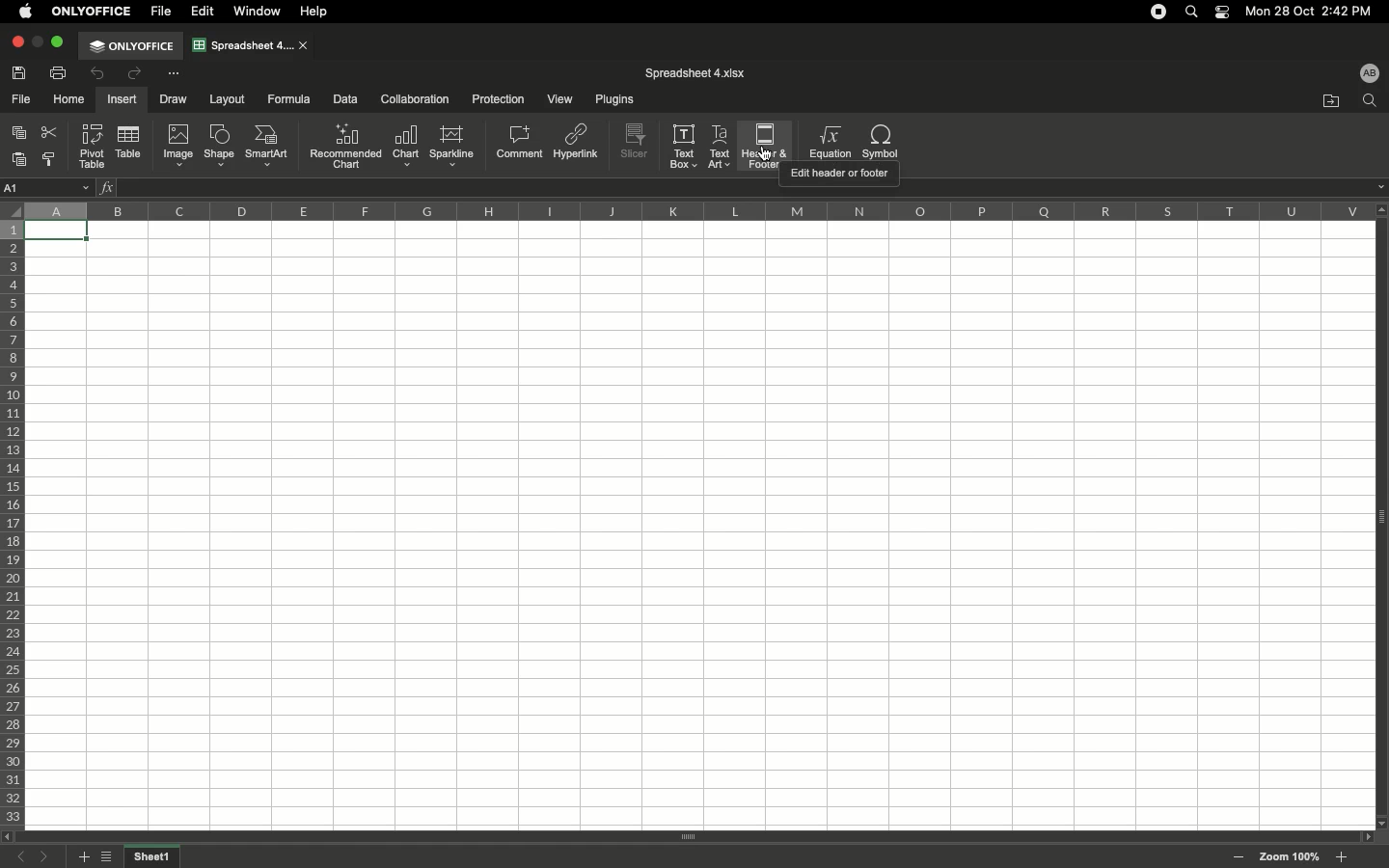 The image size is (1389, 868). Describe the element at coordinates (133, 73) in the screenshot. I see `Redo` at that location.